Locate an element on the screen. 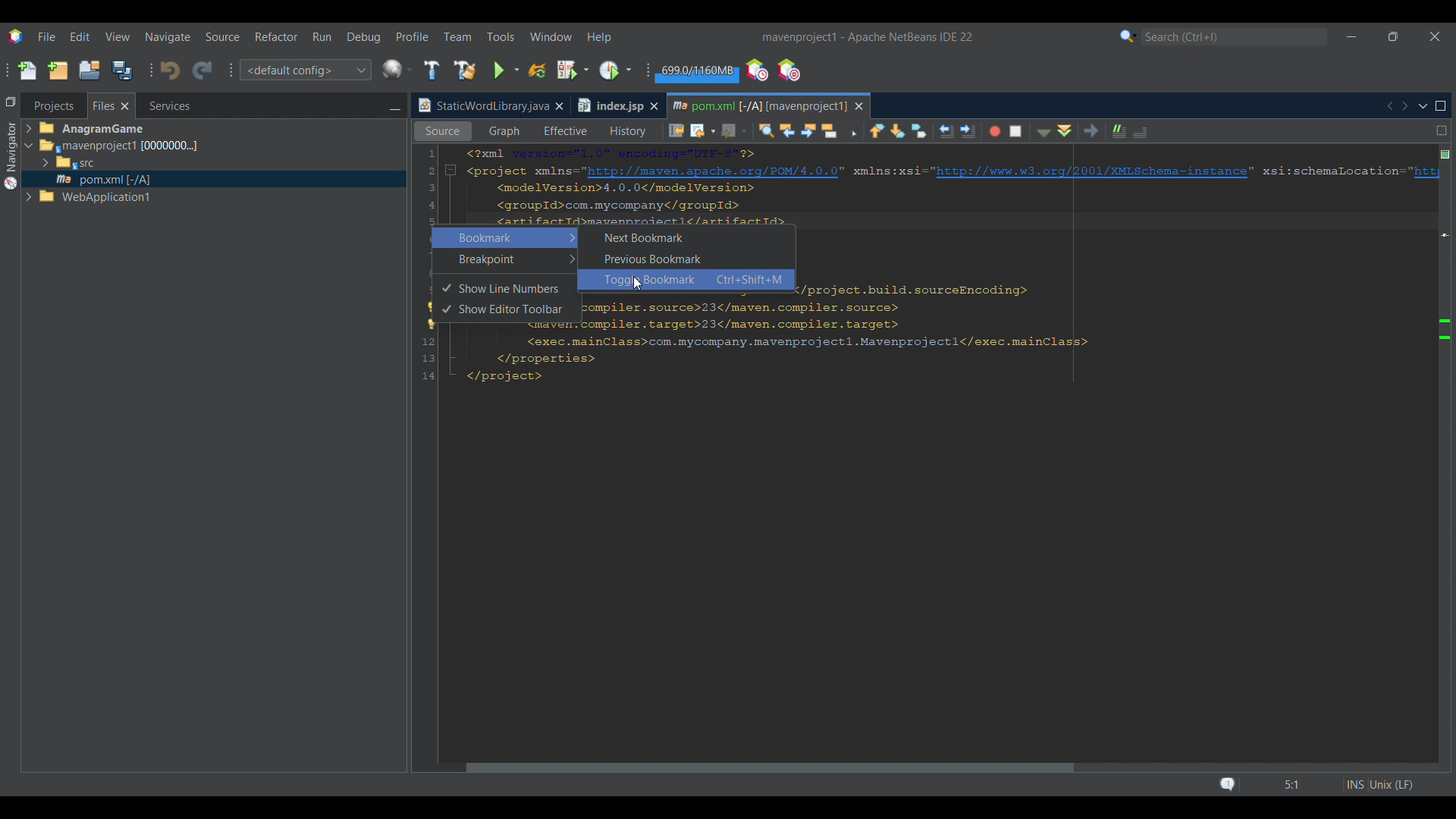 This screenshot has width=1456, height=819. Last edit is located at coordinates (676, 130).